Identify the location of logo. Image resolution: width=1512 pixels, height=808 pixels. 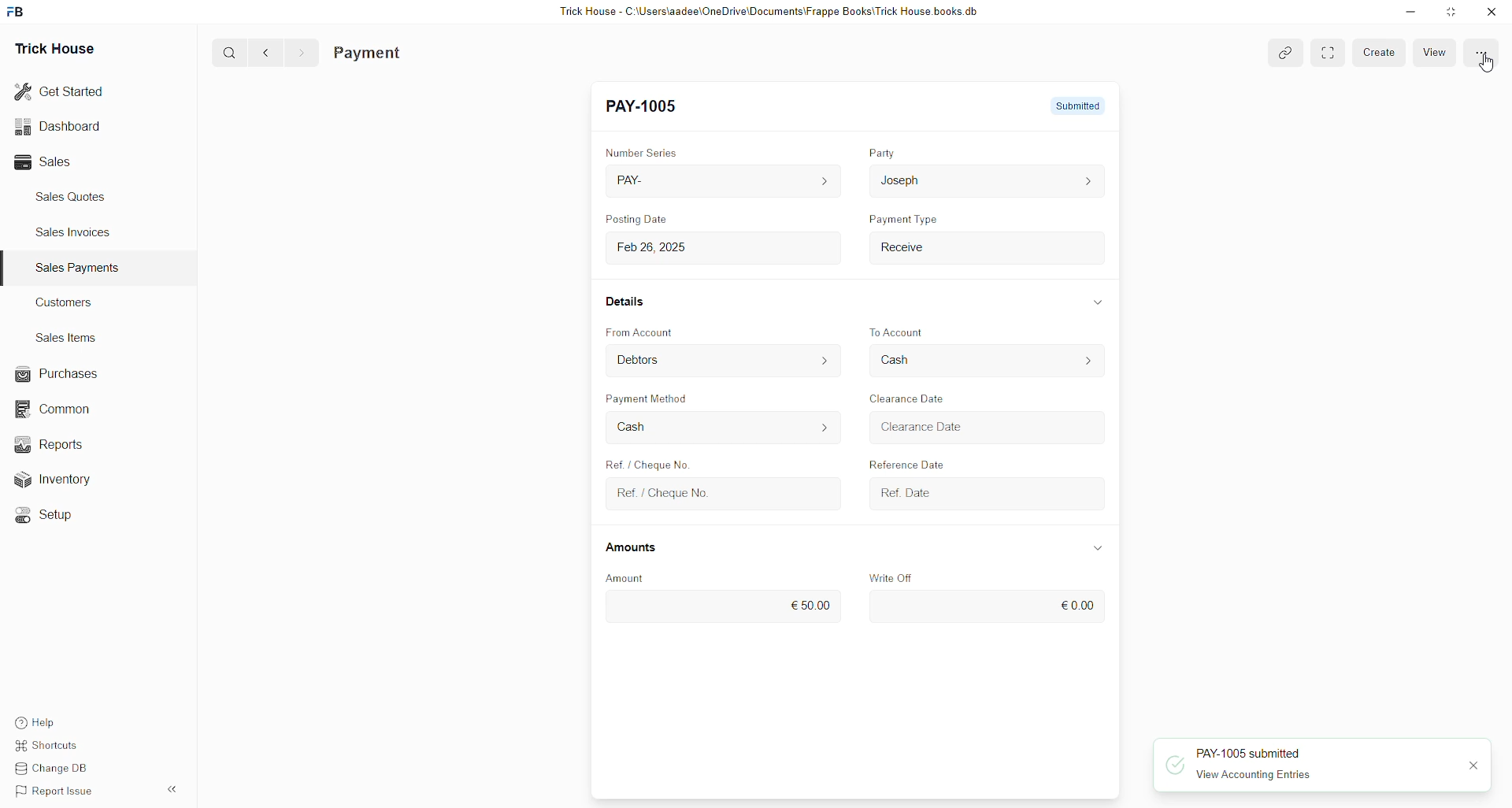
(17, 12).